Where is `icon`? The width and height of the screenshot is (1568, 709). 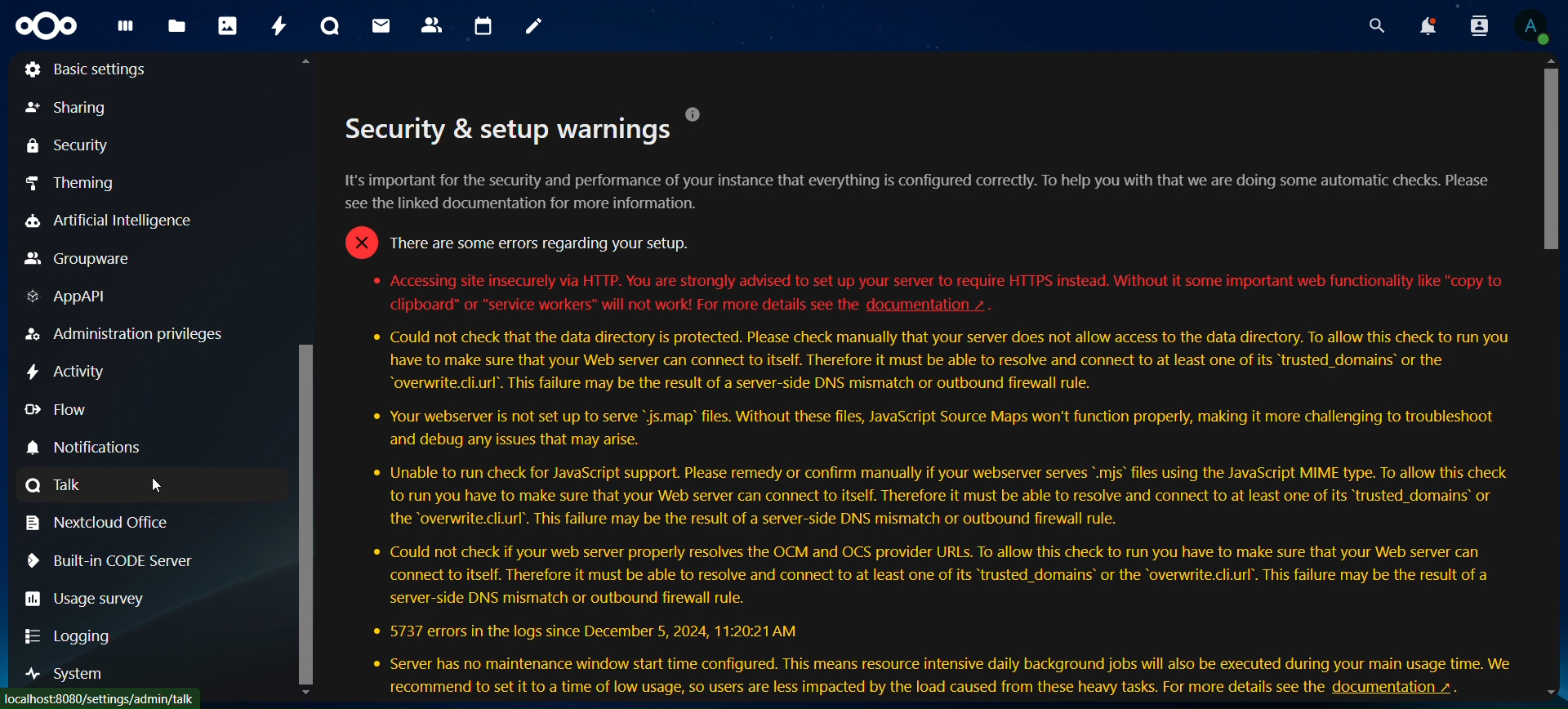 icon is located at coordinates (49, 30).